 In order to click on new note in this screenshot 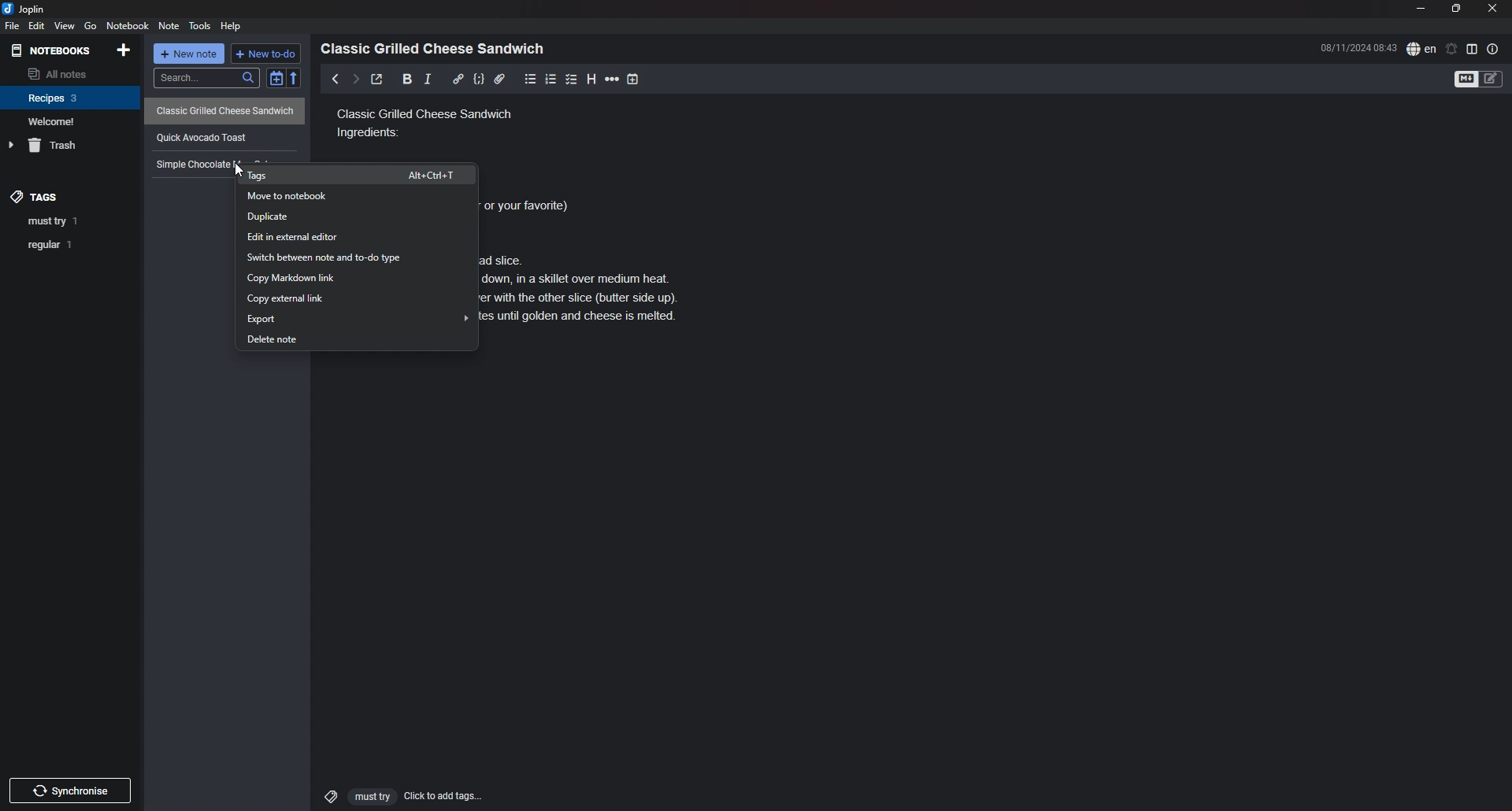, I will do `click(191, 55)`.